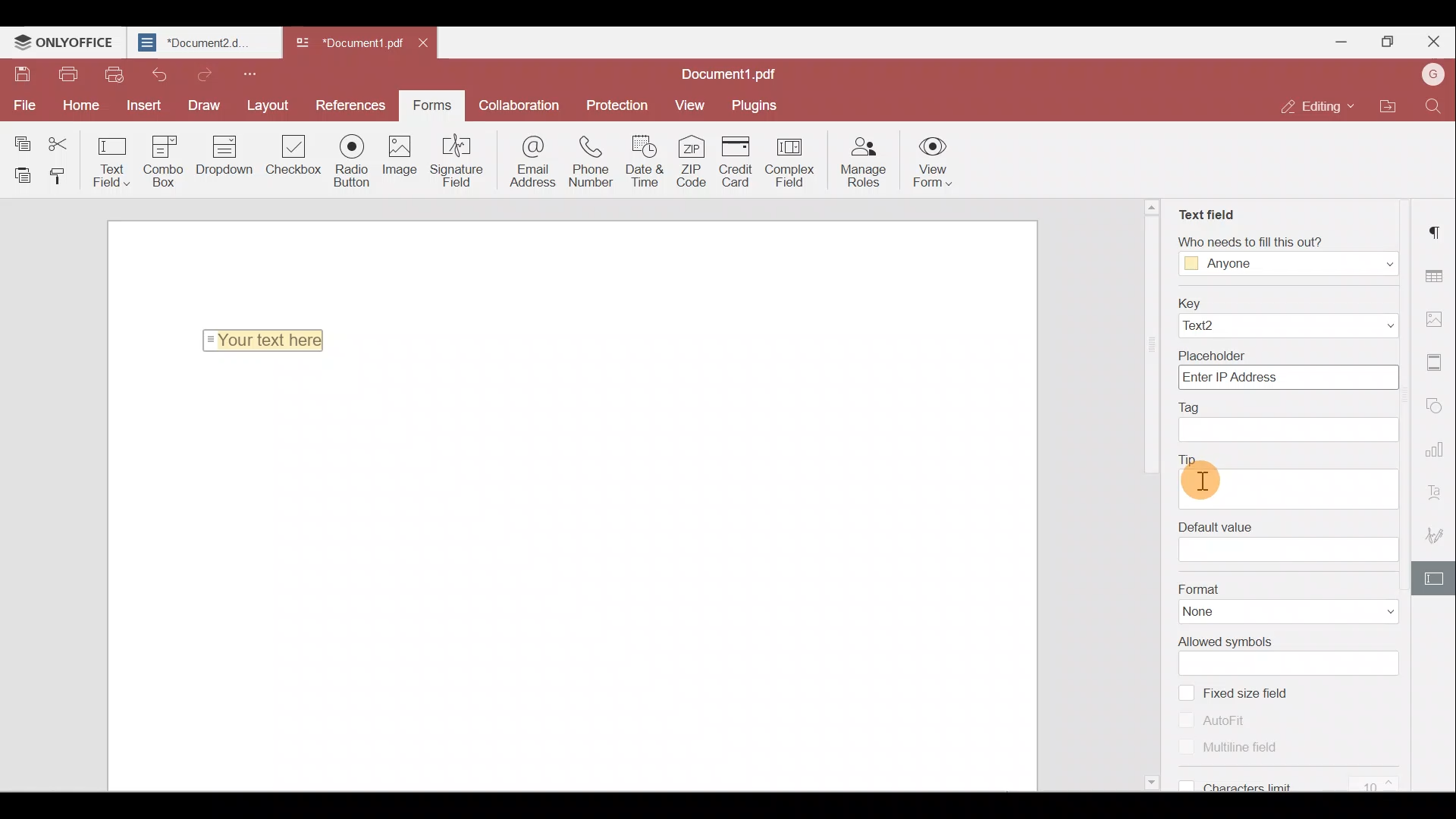  Describe the element at coordinates (85, 104) in the screenshot. I see `Home` at that location.